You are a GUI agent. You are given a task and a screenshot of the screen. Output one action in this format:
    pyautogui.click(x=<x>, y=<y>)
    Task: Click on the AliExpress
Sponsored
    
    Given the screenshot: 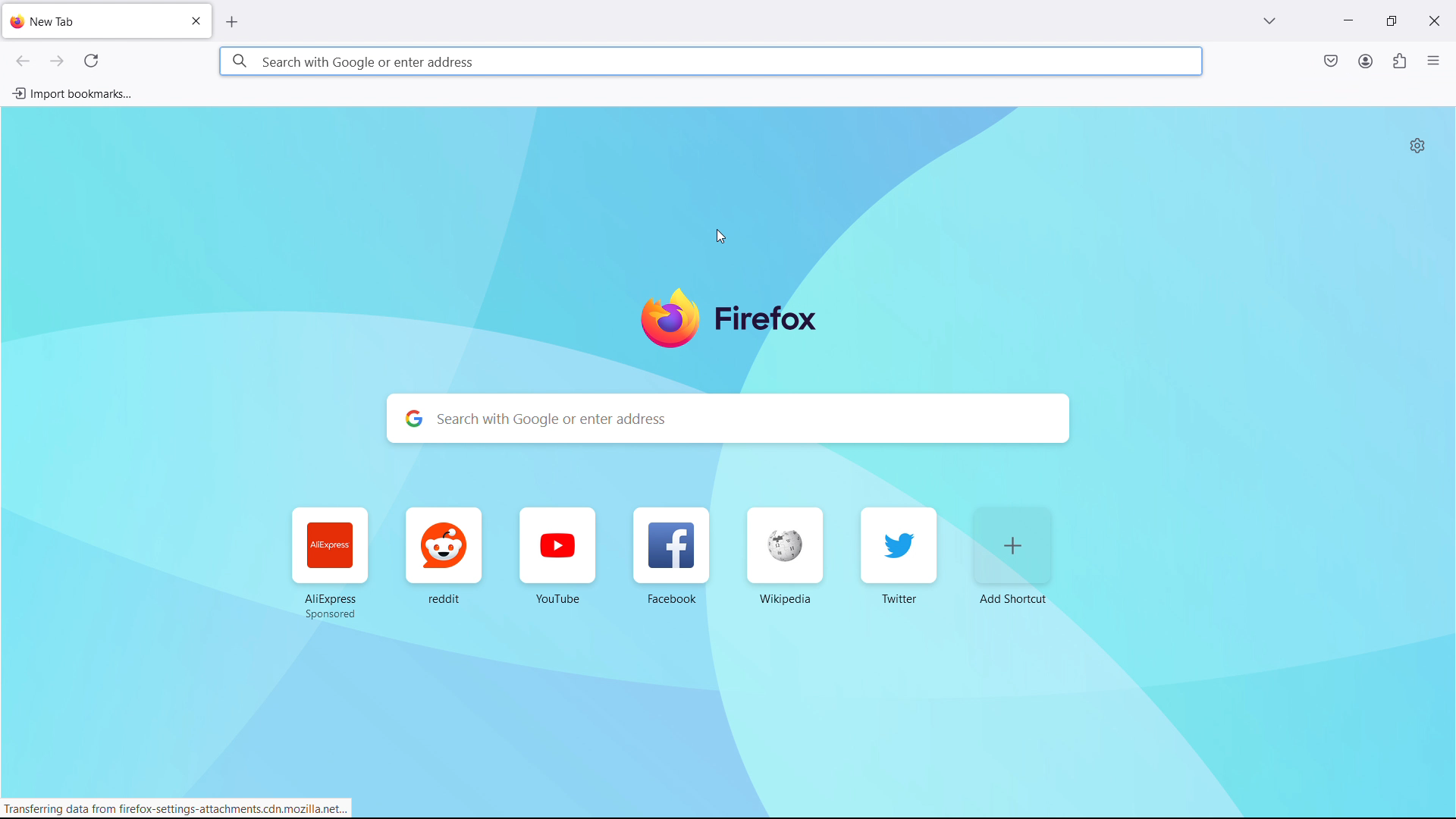 What is the action you would take?
    pyautogui.click(x=331, y=565)
    